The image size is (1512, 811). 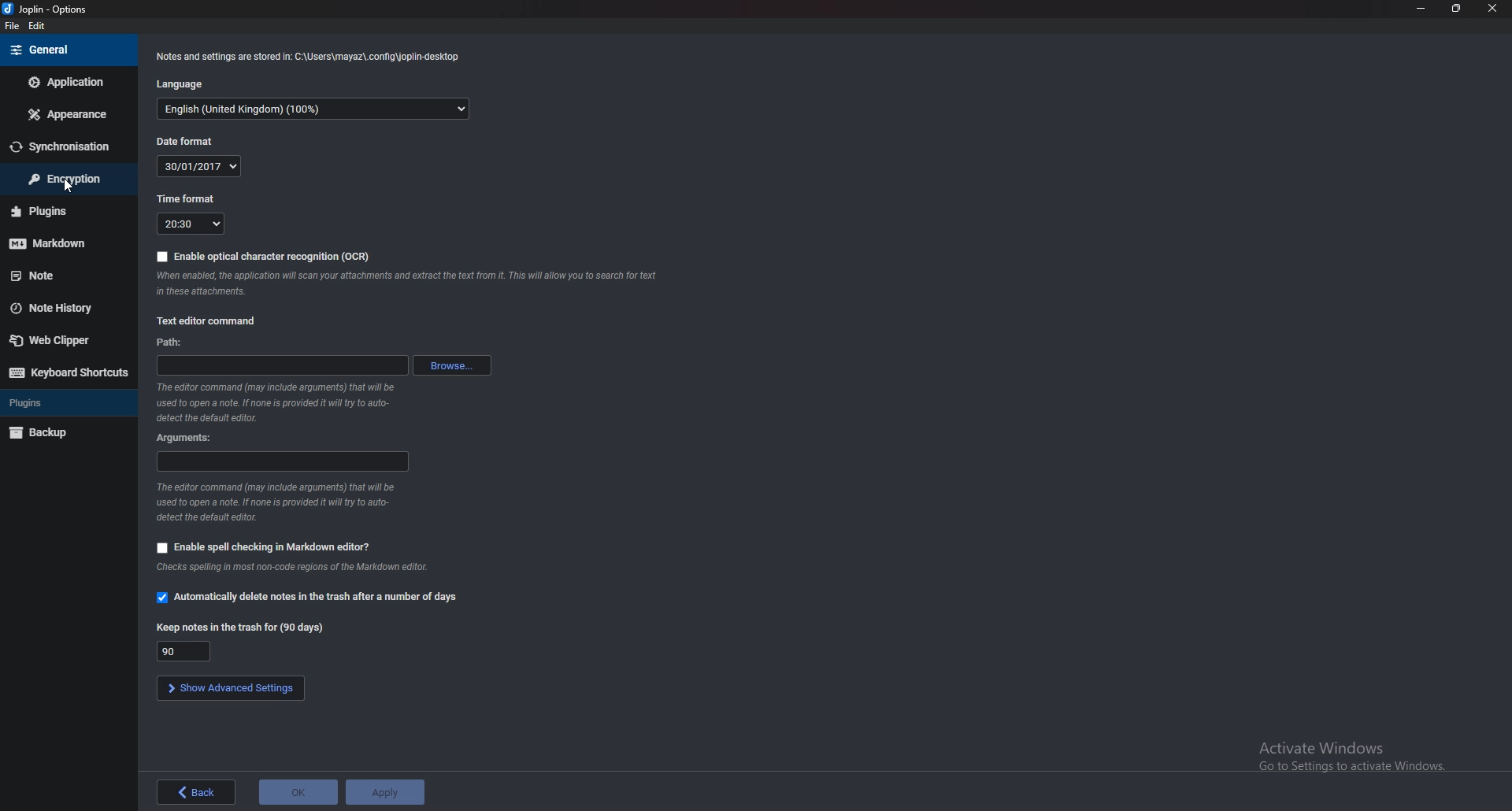 I want to click on sync, so click(x=67, y=147).